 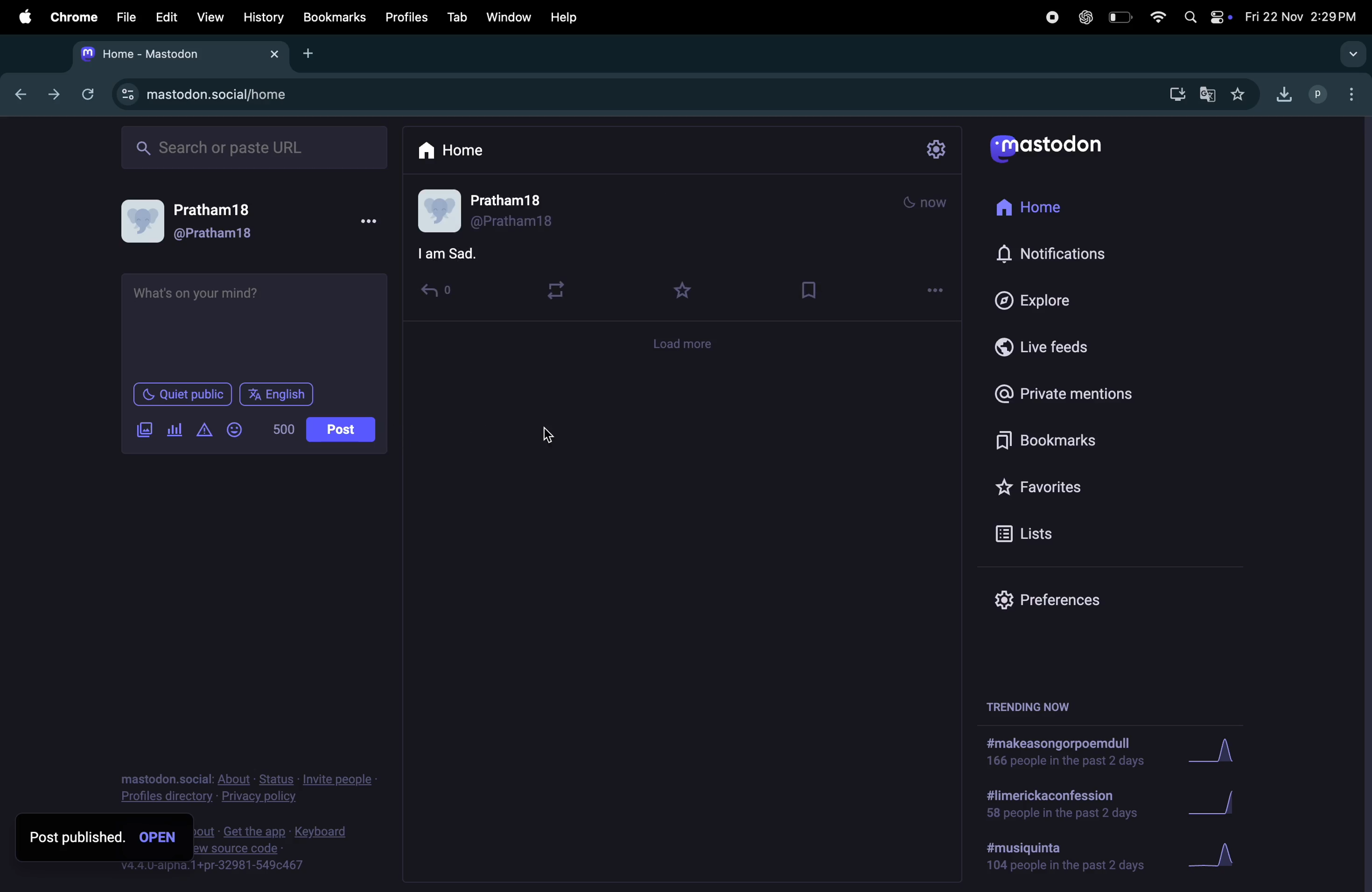 What do you see at coordinates (815, 288) in the screenshot?
I see `bookmark` at bounding box center [815, 288].